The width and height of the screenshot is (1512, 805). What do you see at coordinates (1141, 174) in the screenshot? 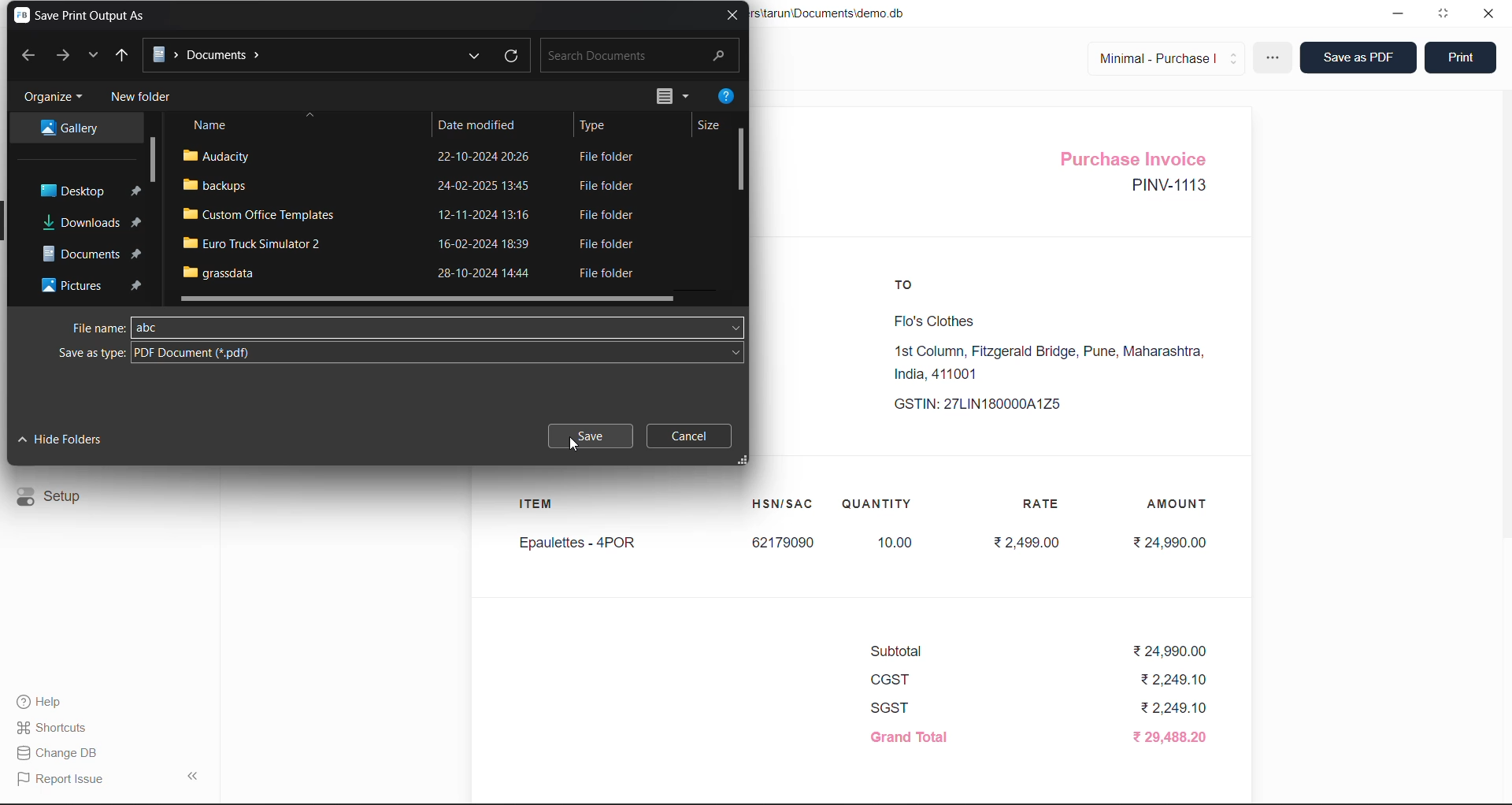
I see `Purchase Invoice PINV-1113` at bounding box center [1141, 174].